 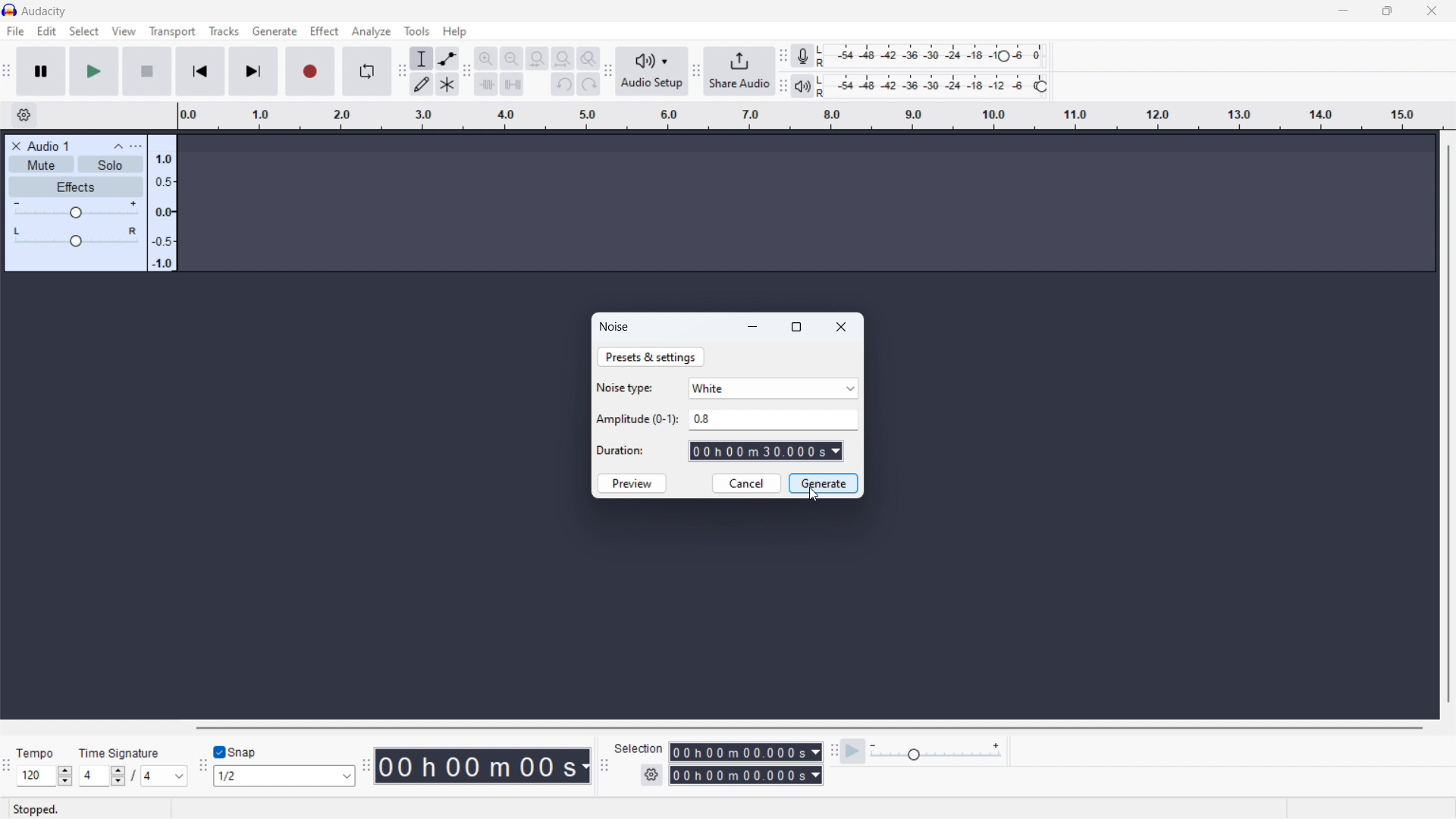 What do you see at coordinates (284, 777) in the screenshot?
I see `select snapping` at bounding box center [284, 777].